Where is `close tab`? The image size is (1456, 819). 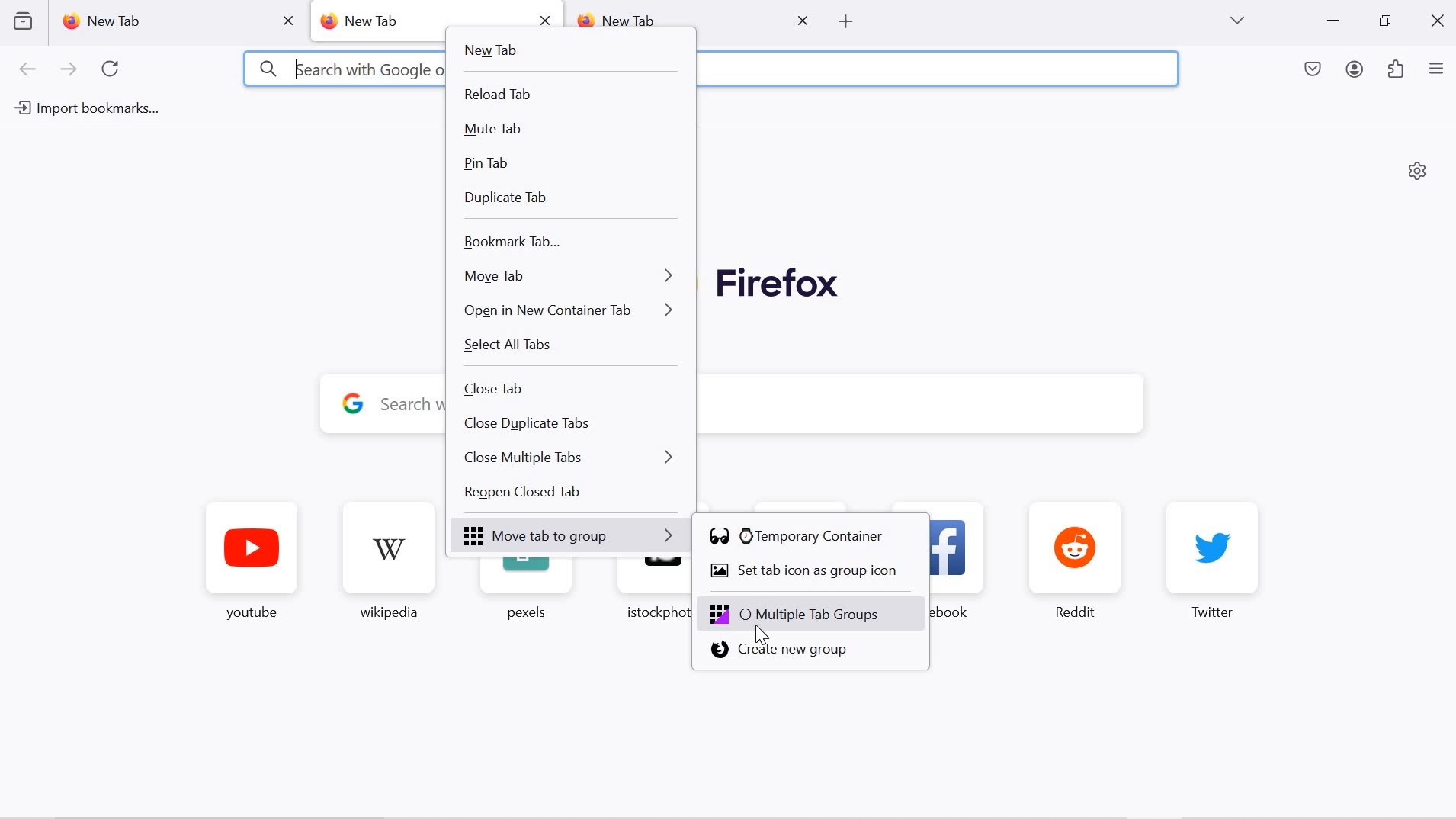
close tab is located at coordinates (290, 21).